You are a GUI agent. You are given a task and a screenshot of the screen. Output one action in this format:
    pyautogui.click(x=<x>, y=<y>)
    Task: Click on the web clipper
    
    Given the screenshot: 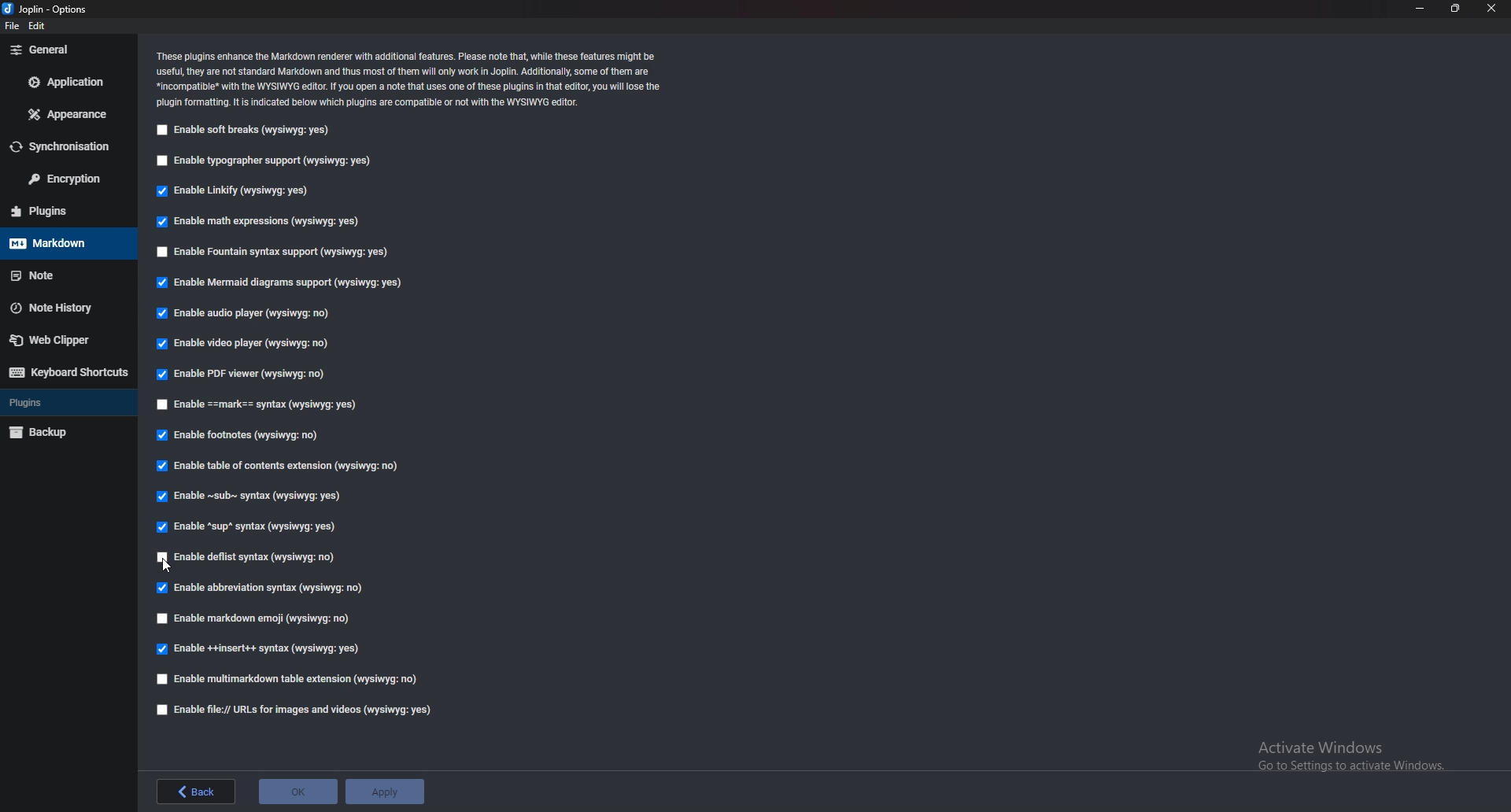 What is the action you would take?
    pyautogui.click(x=66, y=339)
    